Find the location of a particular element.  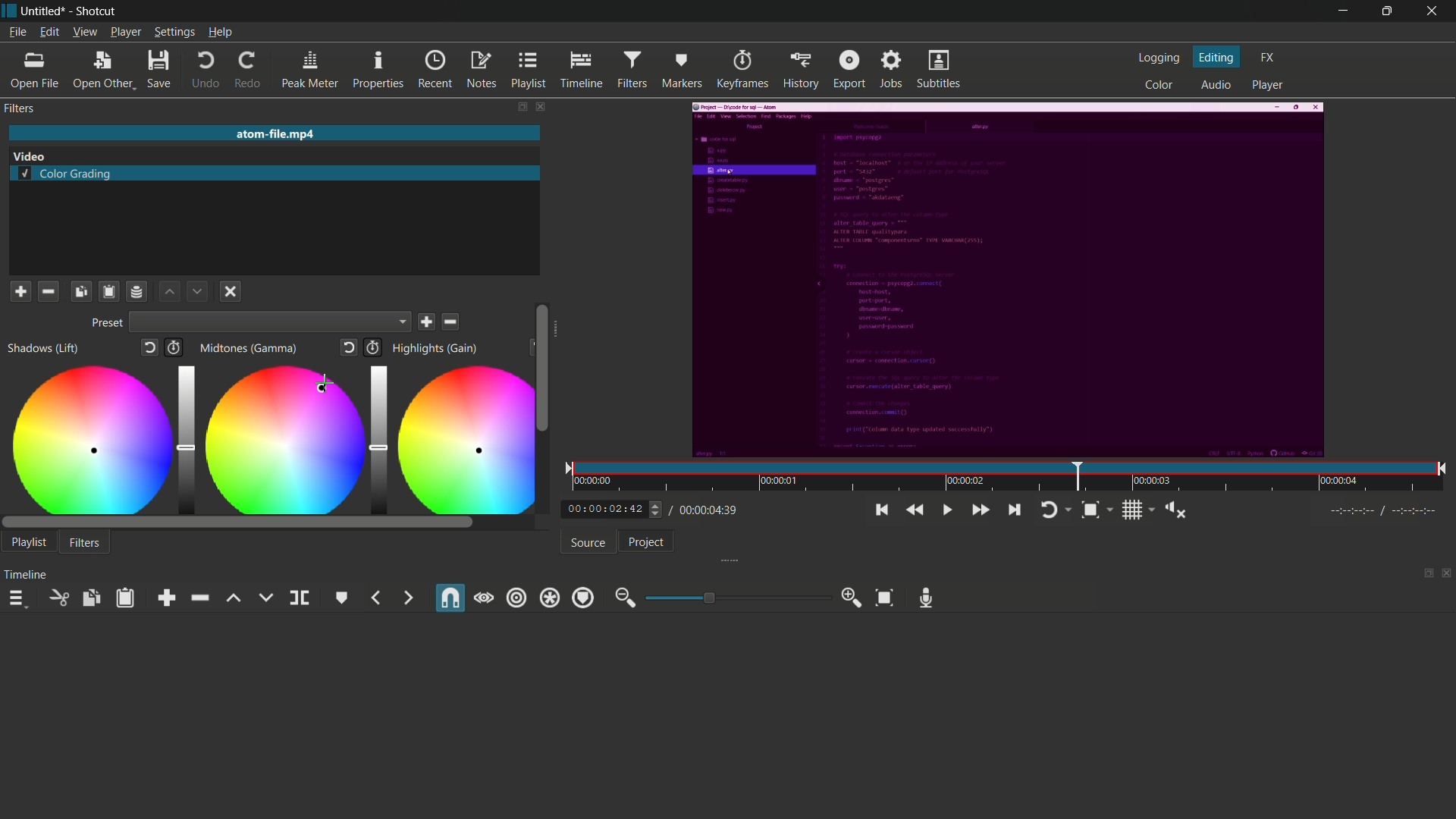

minus is located at coordinates (47, 290).